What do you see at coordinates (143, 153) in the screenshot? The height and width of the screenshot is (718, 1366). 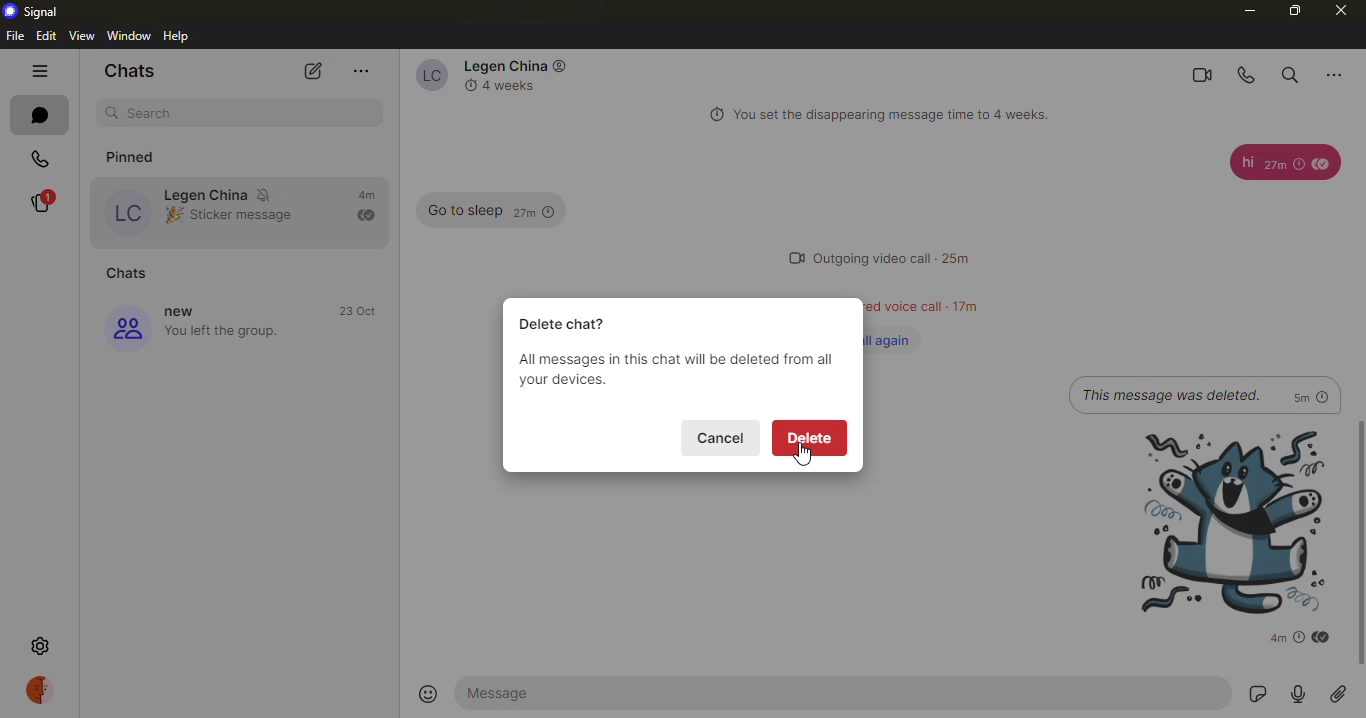 I see `pinned` at bounding box center [143, 153].